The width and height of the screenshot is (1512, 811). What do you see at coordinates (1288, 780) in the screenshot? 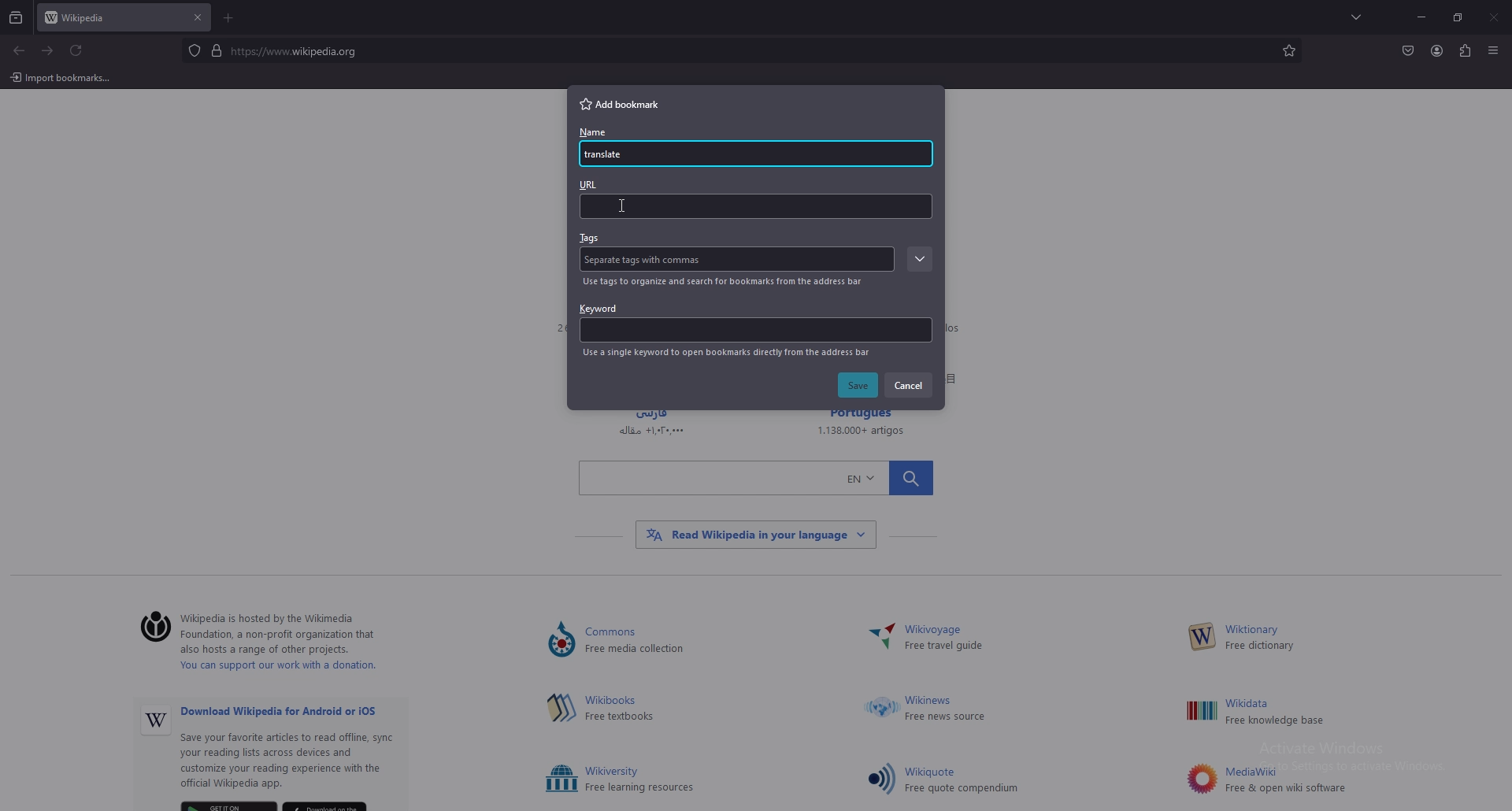
I see `` at bounding box center [1288, 780].